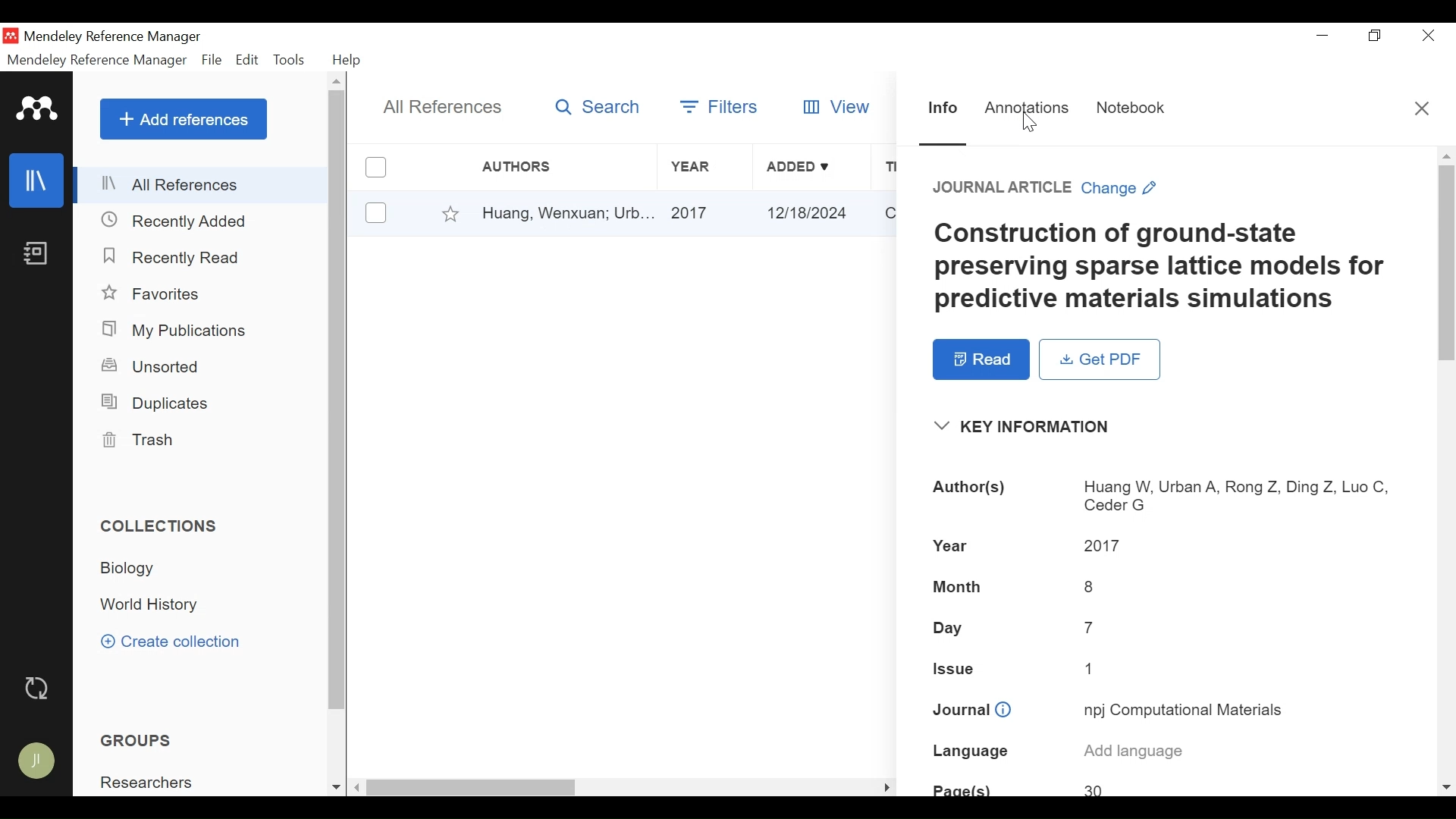 The height and width of the screenshot is (819, 1456). Describe the element at coordinates (158, 402) in the screenshot. I see `Duplicates` at that location.